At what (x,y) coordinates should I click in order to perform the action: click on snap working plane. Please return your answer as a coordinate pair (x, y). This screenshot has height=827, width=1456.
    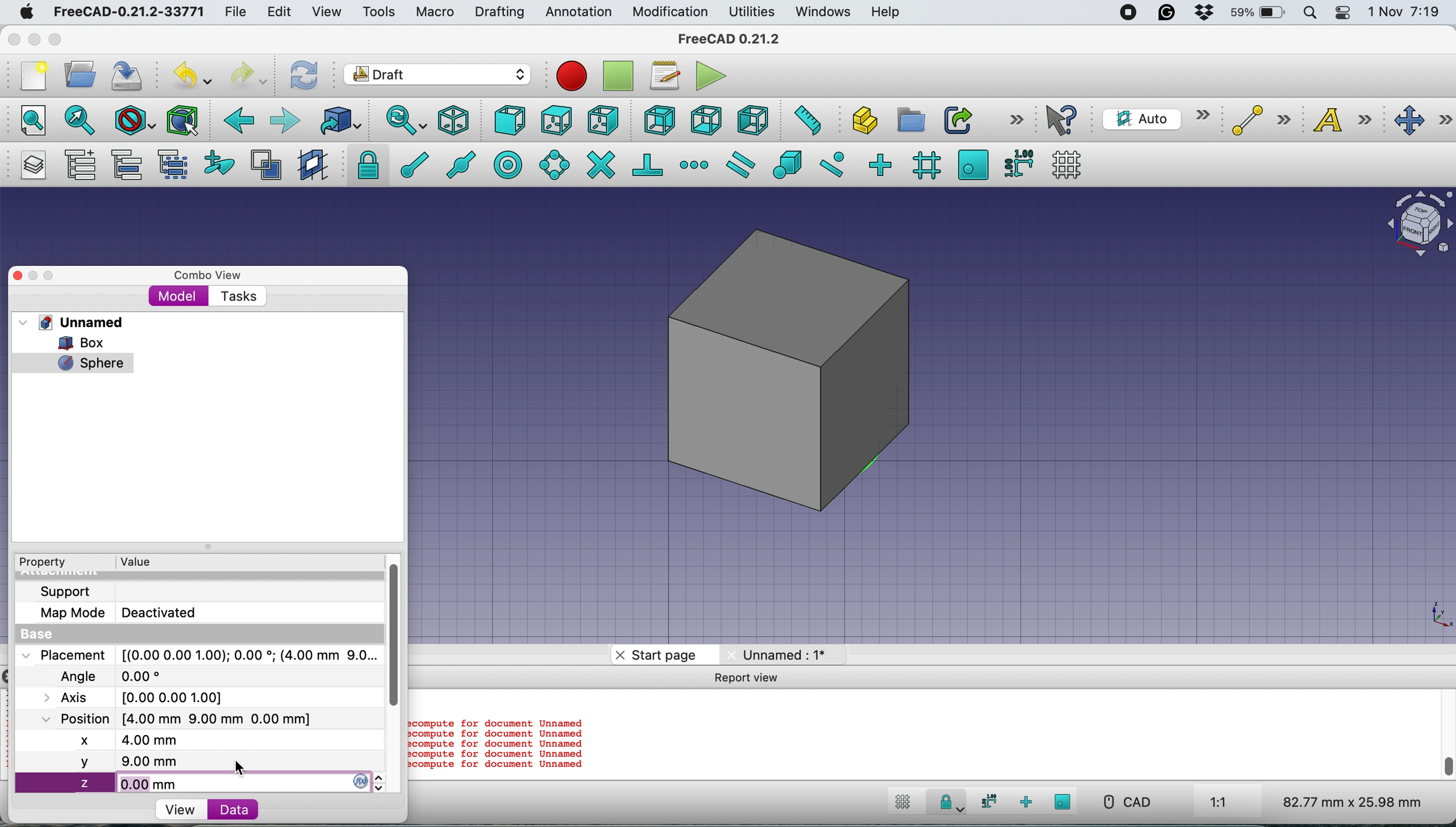
    Looking at the image, I should click on (1063, 801).